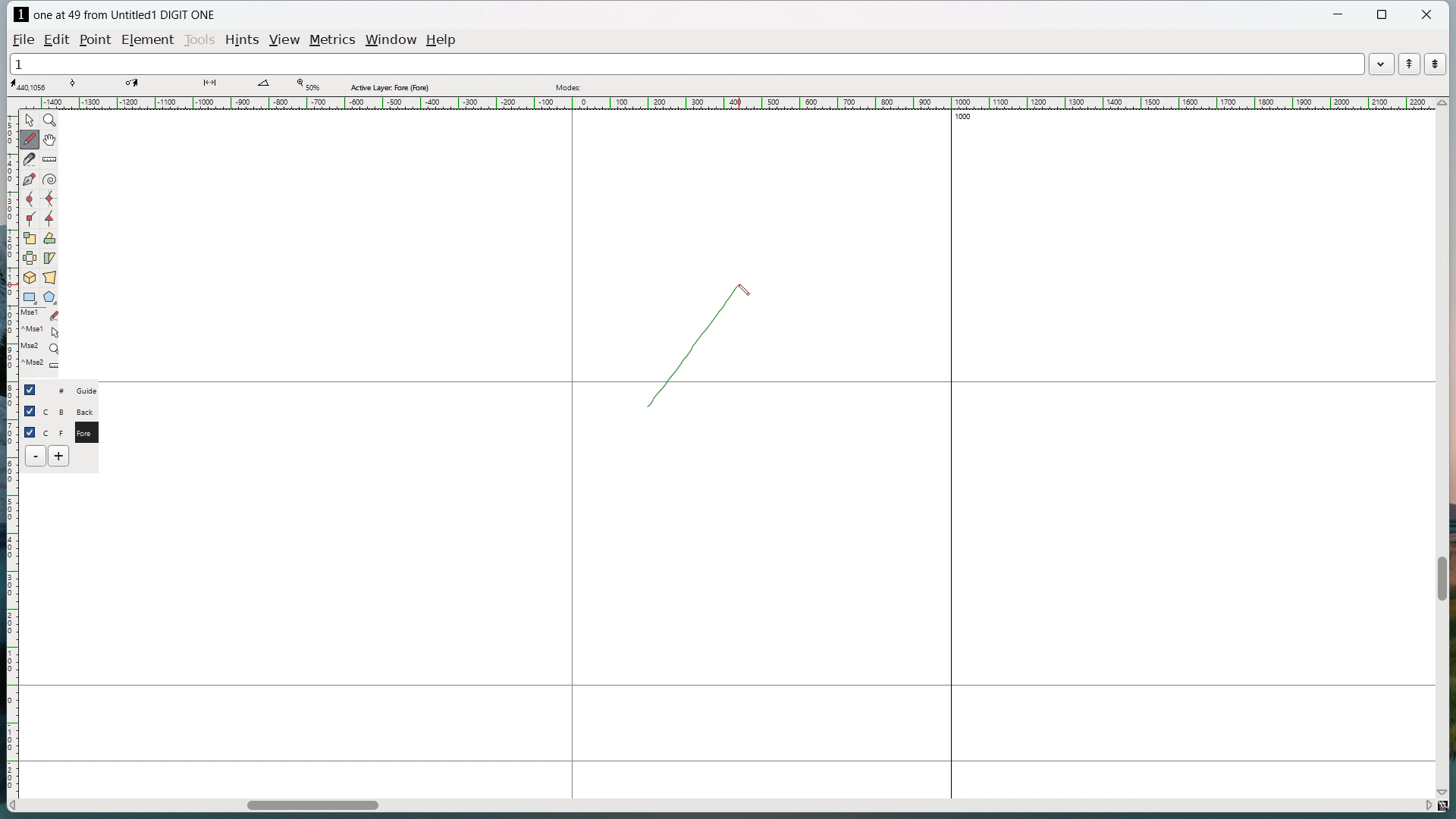 The width and height of the screenshot is (1456, 819). Describe the element at coordinates (59, 39) in the screenshot. I see `edit` at that location.